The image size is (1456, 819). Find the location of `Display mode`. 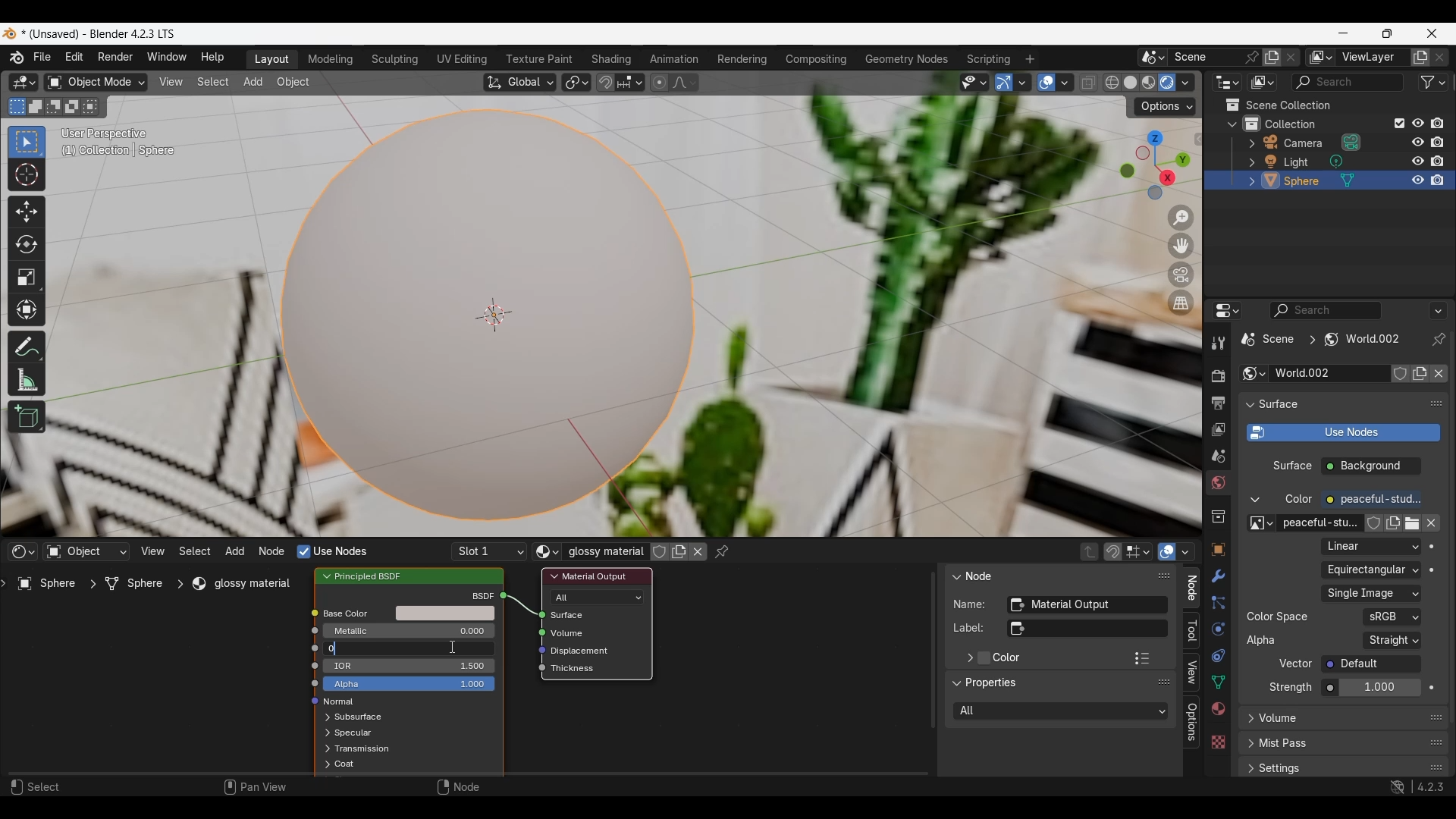

Display mode is located at coordinates (1263, 82).